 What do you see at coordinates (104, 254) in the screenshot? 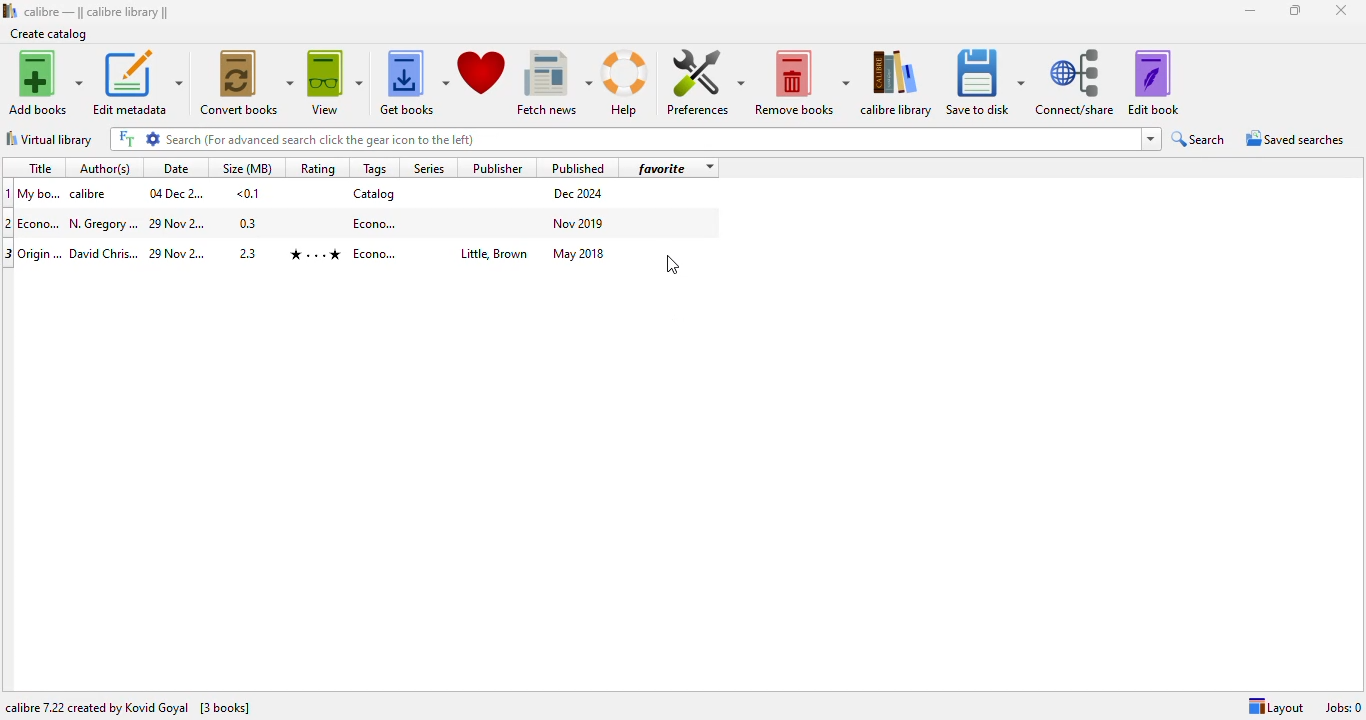
I see `Author` at bounding box center [104, 254].